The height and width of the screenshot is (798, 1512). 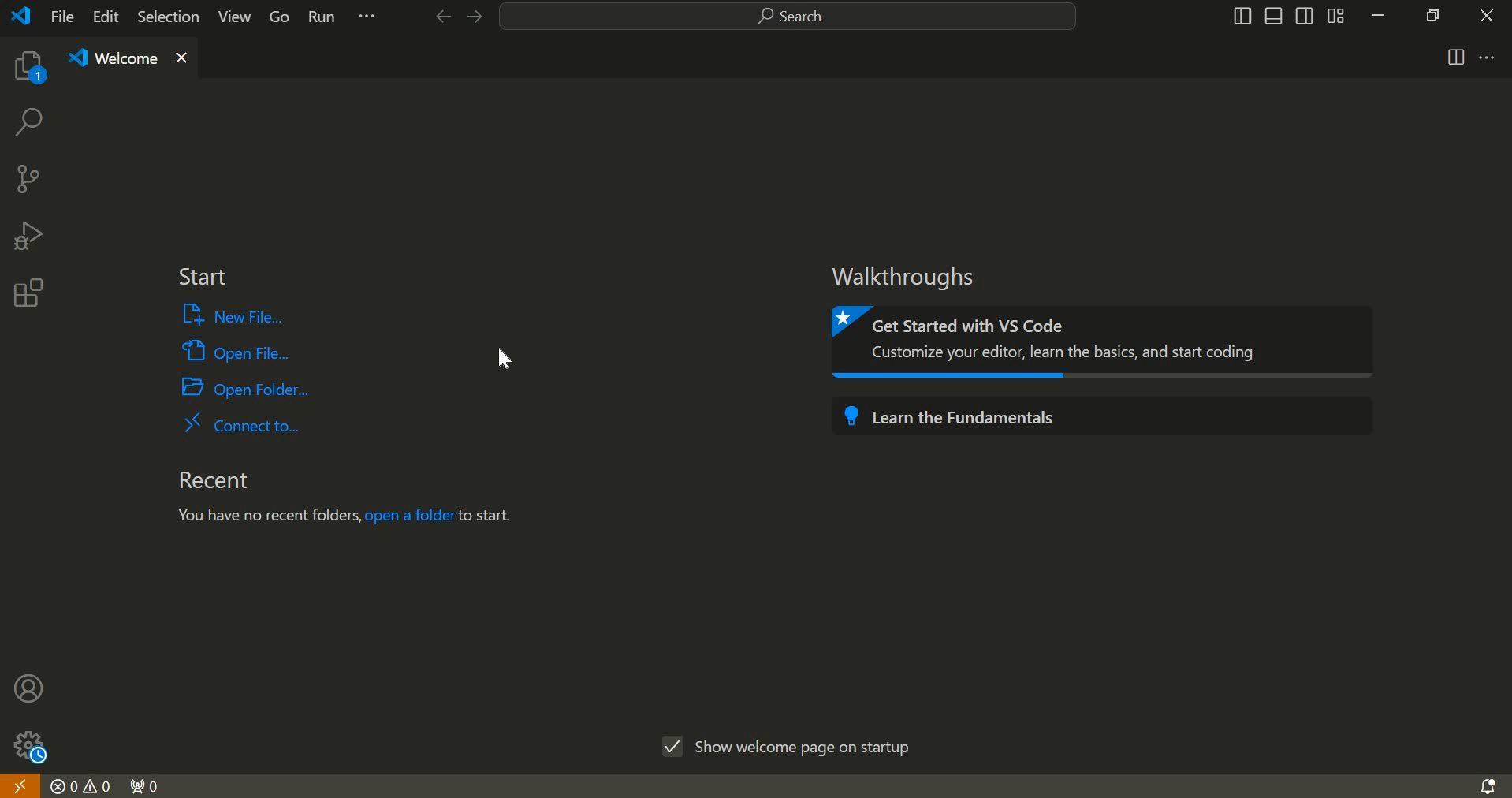 What do you see at coordinates (230, 20) in the screenshot?
I see `view` at bounding box center [230, 20].